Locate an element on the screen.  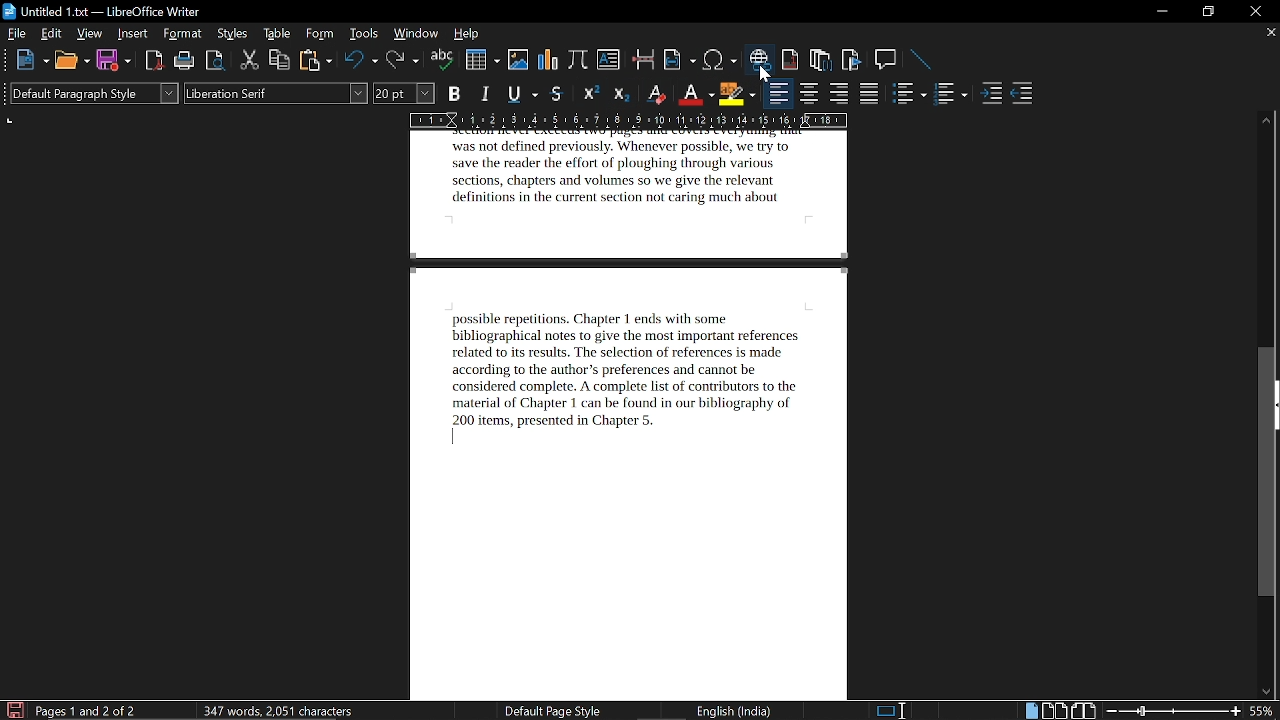
format is located at coordinates (183, 34).